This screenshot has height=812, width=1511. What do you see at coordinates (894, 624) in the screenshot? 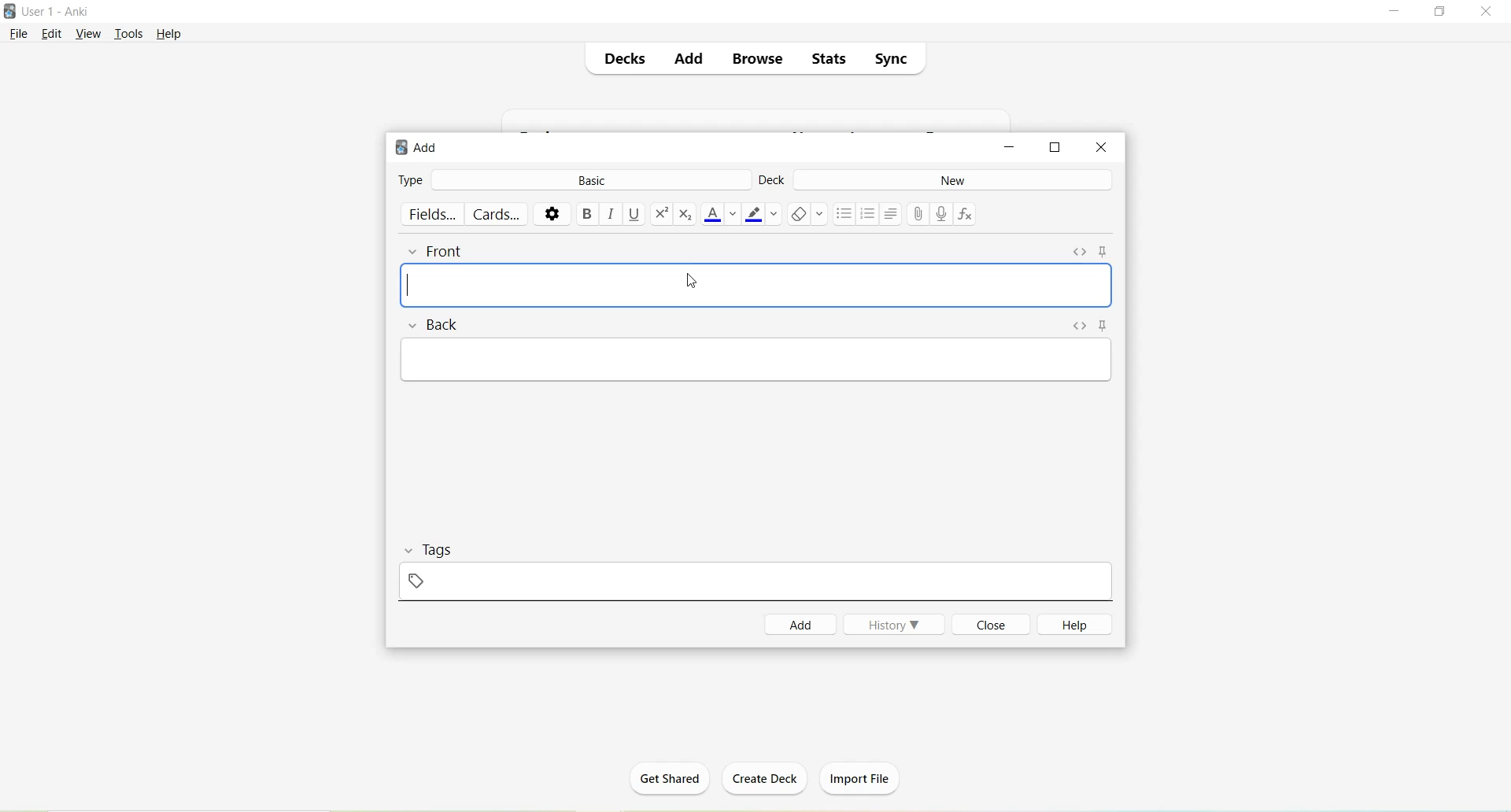
I see `History` at bounding box center [894, 624].